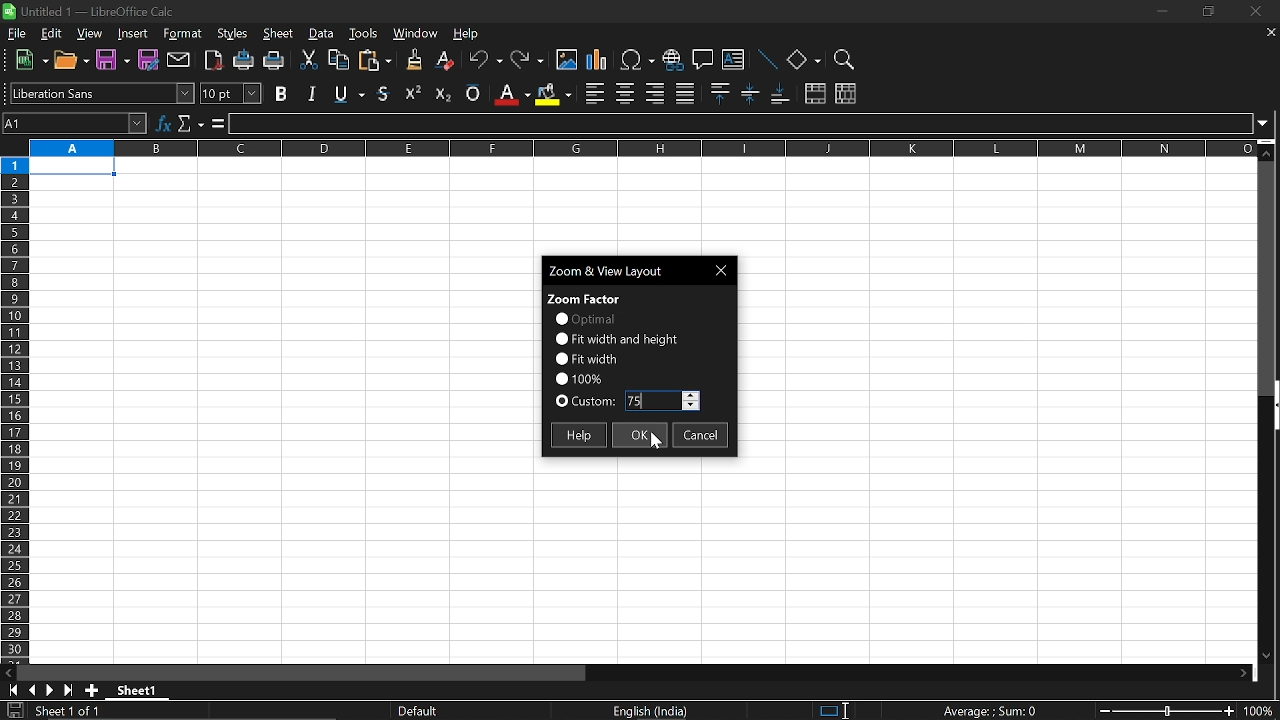 The width and height of the screenshot is (1280, 720). I want to click on eraser, so click(446, 61).